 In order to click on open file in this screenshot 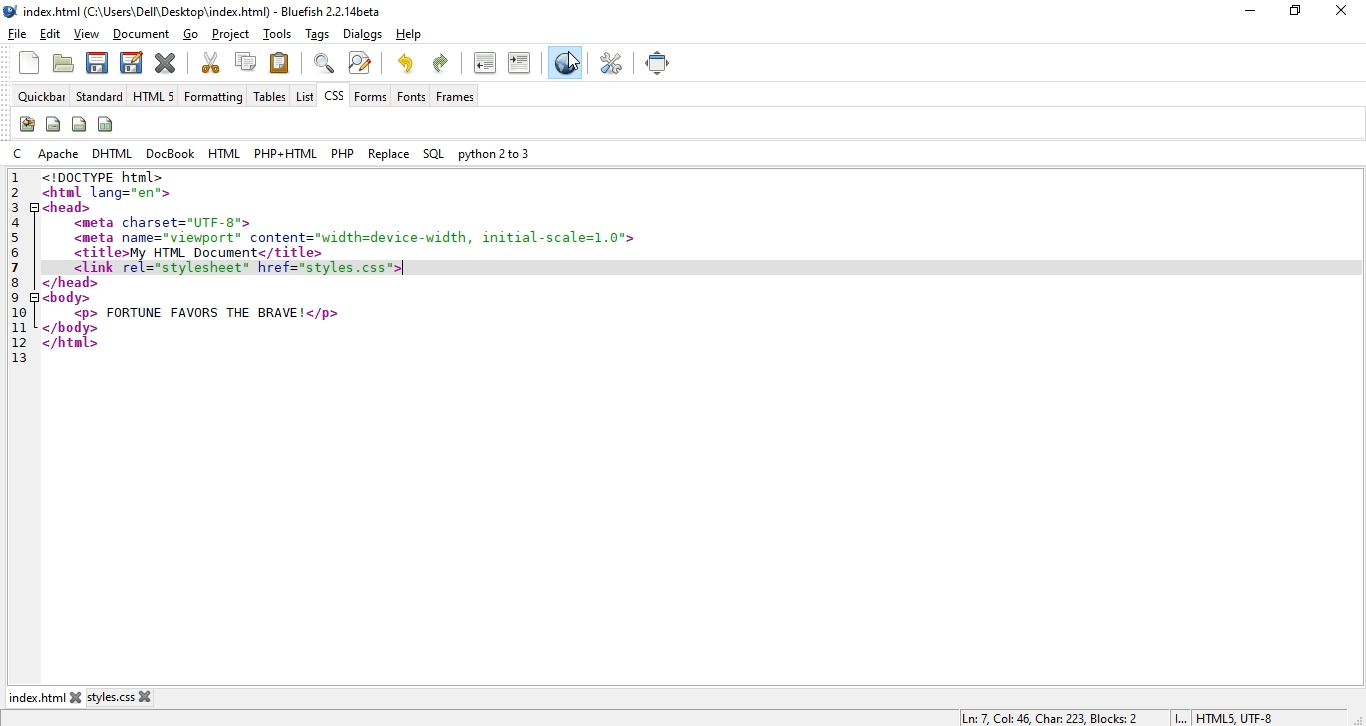, I will do `click(62, 65)`.